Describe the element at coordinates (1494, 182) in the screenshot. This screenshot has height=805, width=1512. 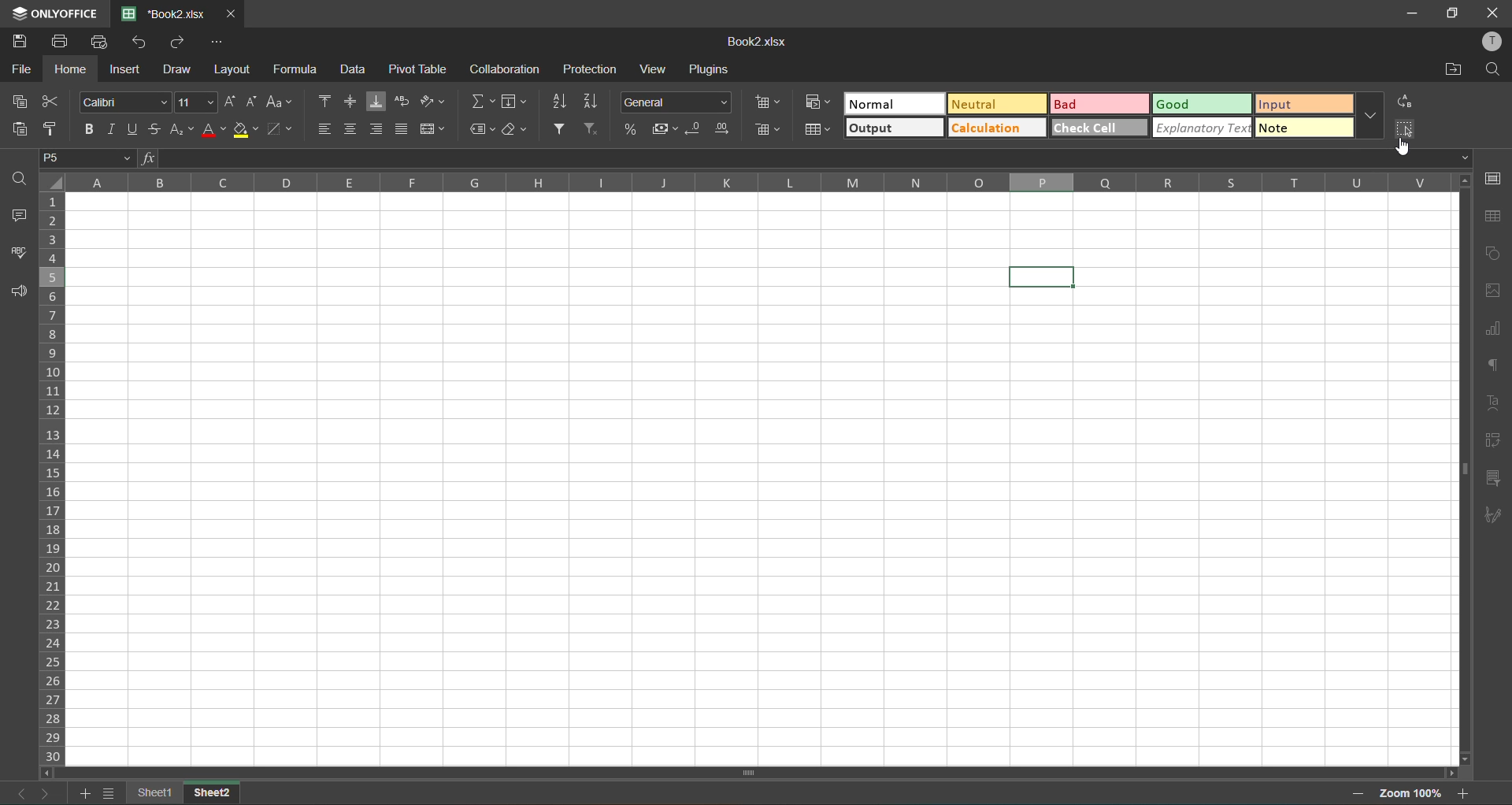
I see `cell settings` at that location.